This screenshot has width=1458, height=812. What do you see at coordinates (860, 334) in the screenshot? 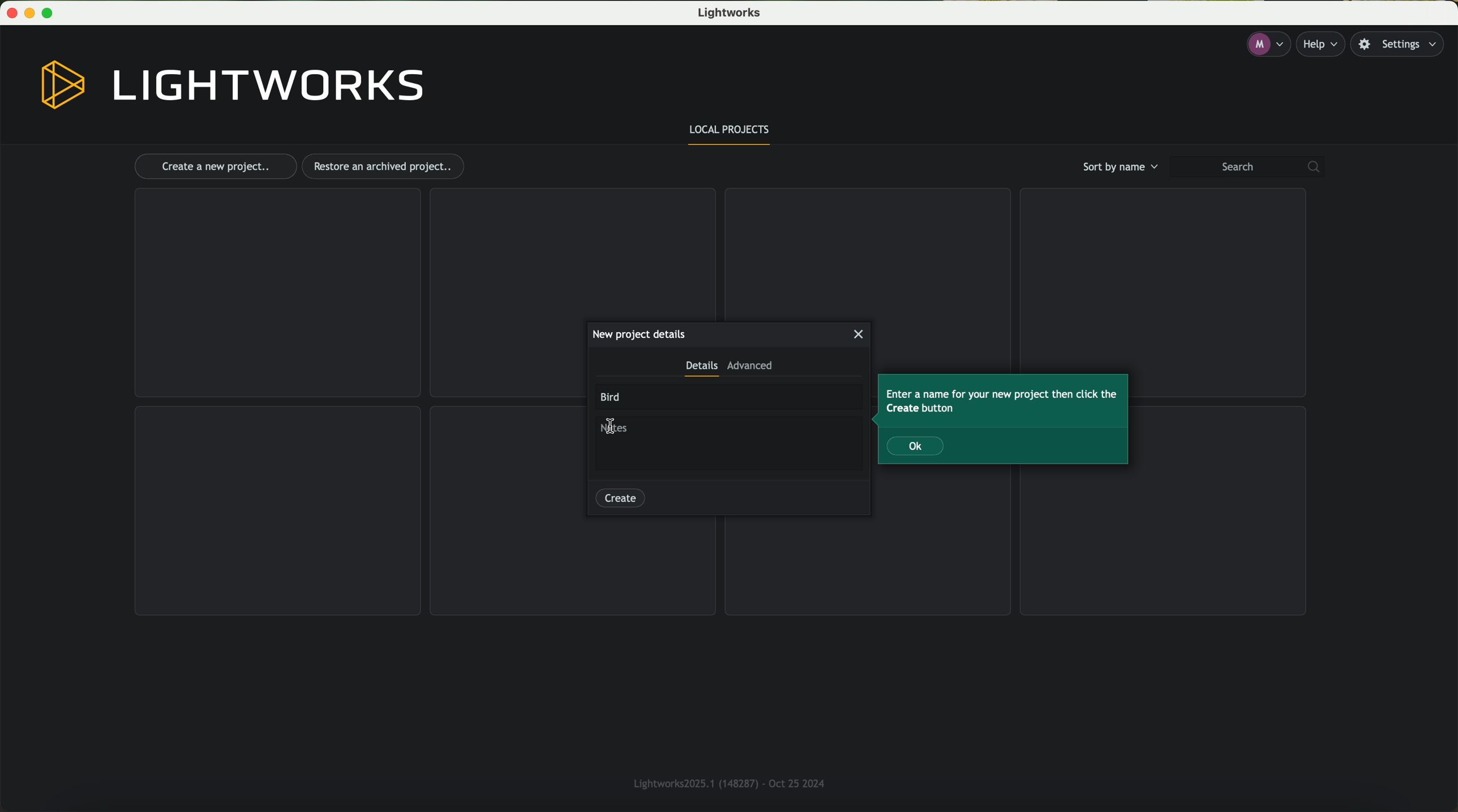
I see `close` at bounding box center [860, 334].